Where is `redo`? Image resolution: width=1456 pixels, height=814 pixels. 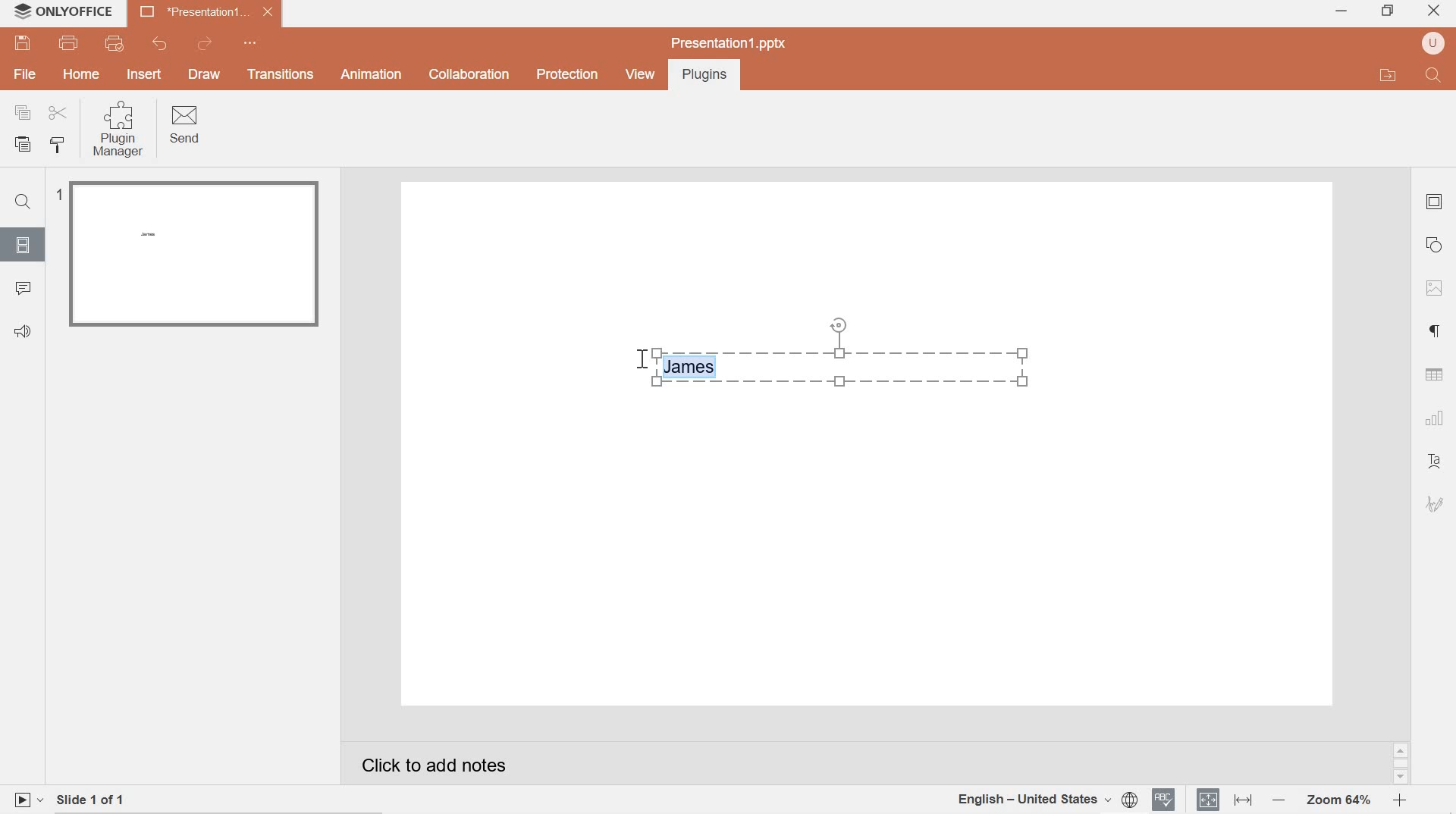
redo is located at coordinates (207, 43).